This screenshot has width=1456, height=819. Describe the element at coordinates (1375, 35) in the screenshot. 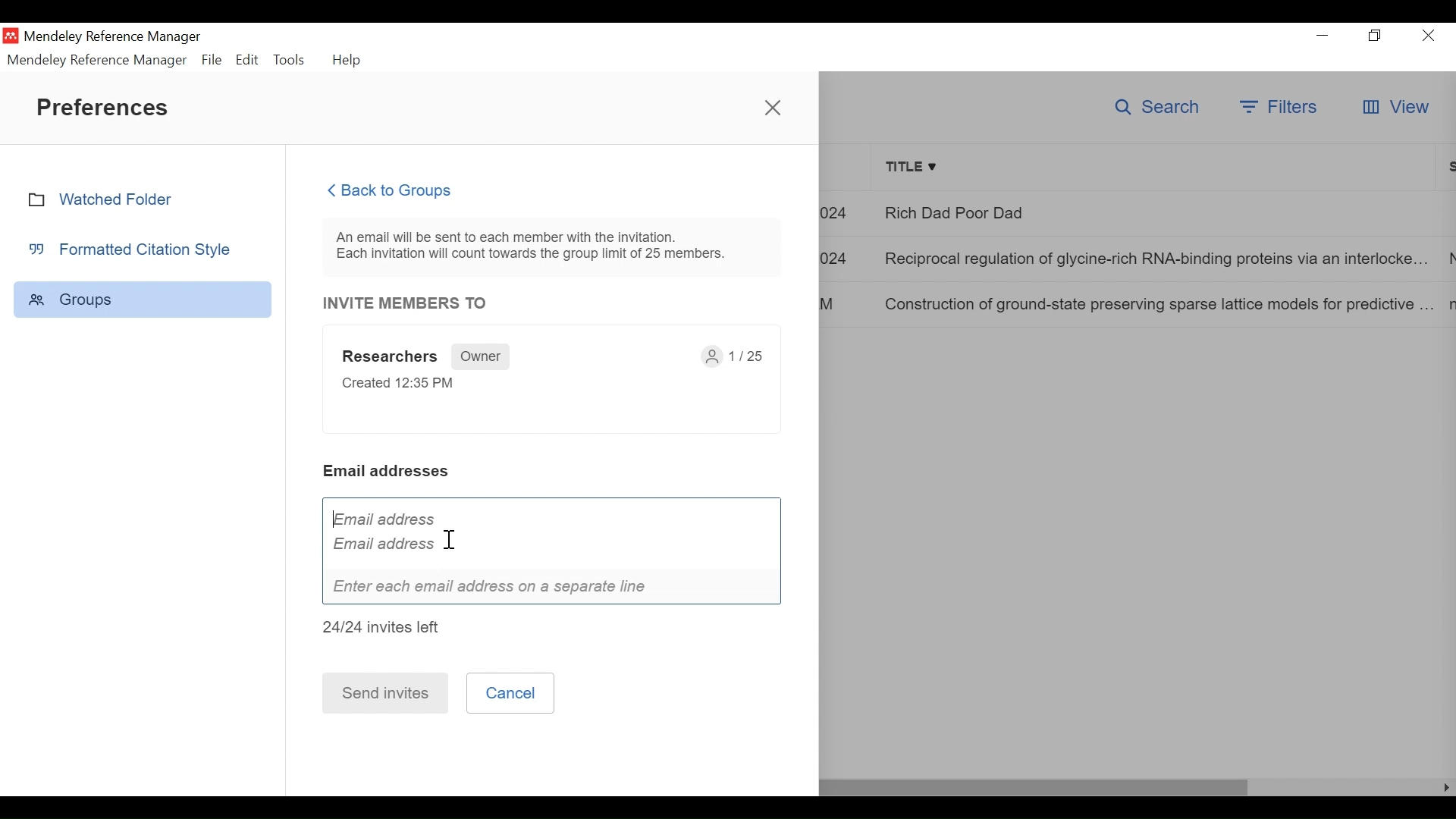

I see `Restore` at that location.